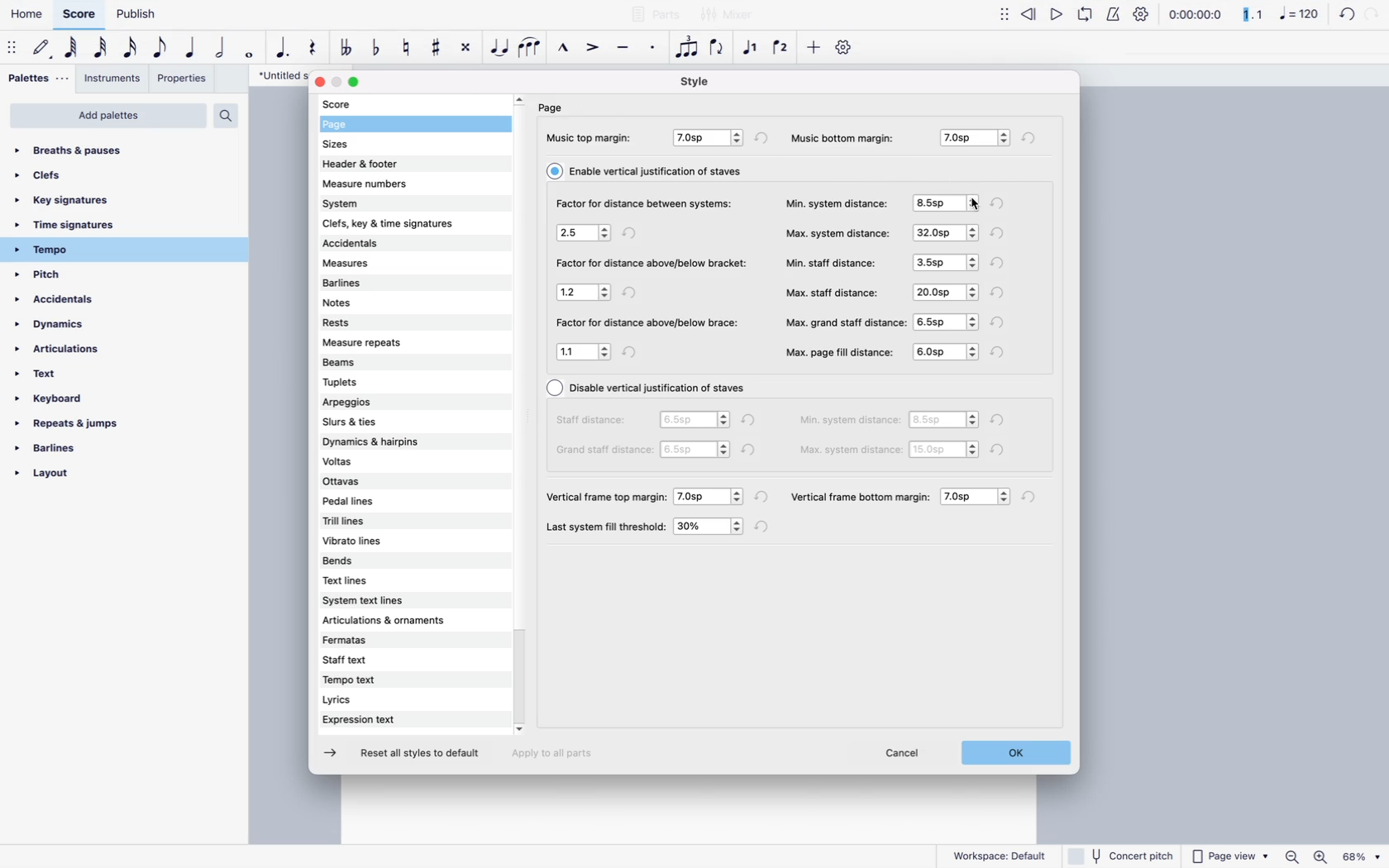 The width and height of the screenshot is (1389, 868). I want to click on double toggle flat, so click(349, 48).